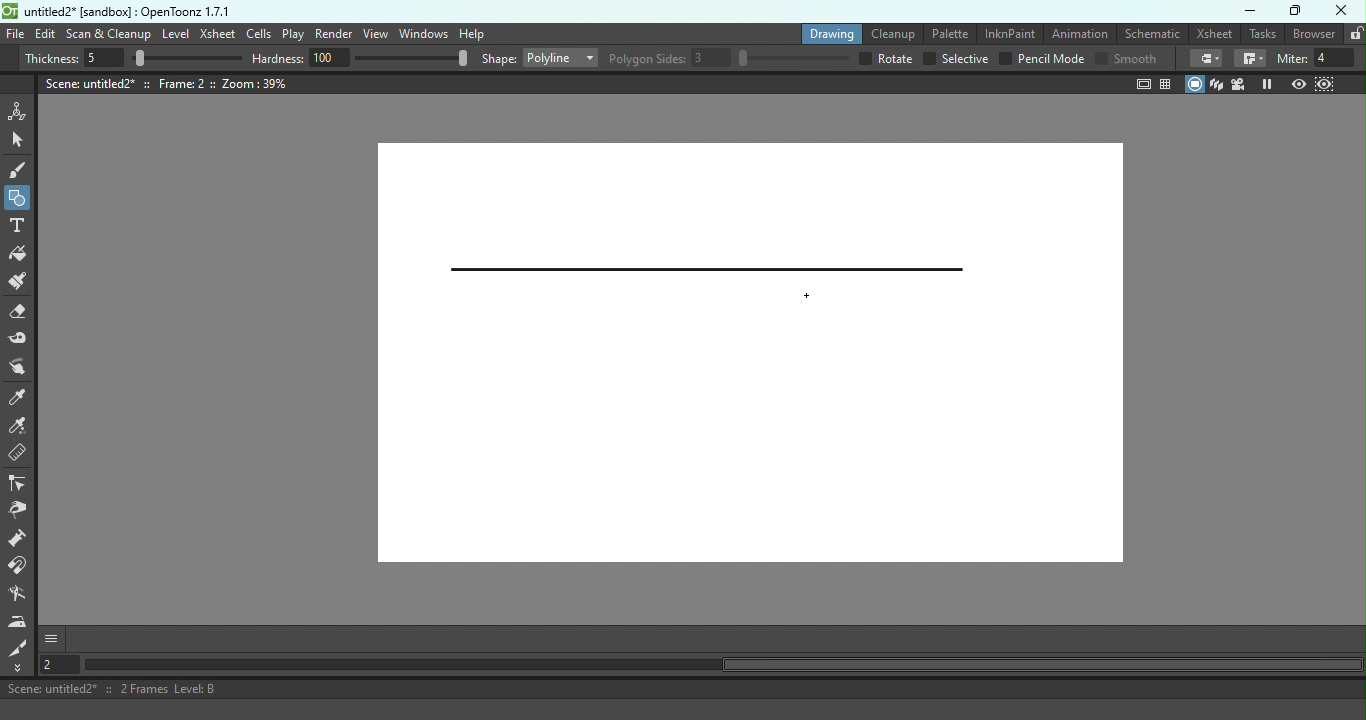 This screenshot has height=720, width=1366. I want to click on Preview, so click(1300, 82).